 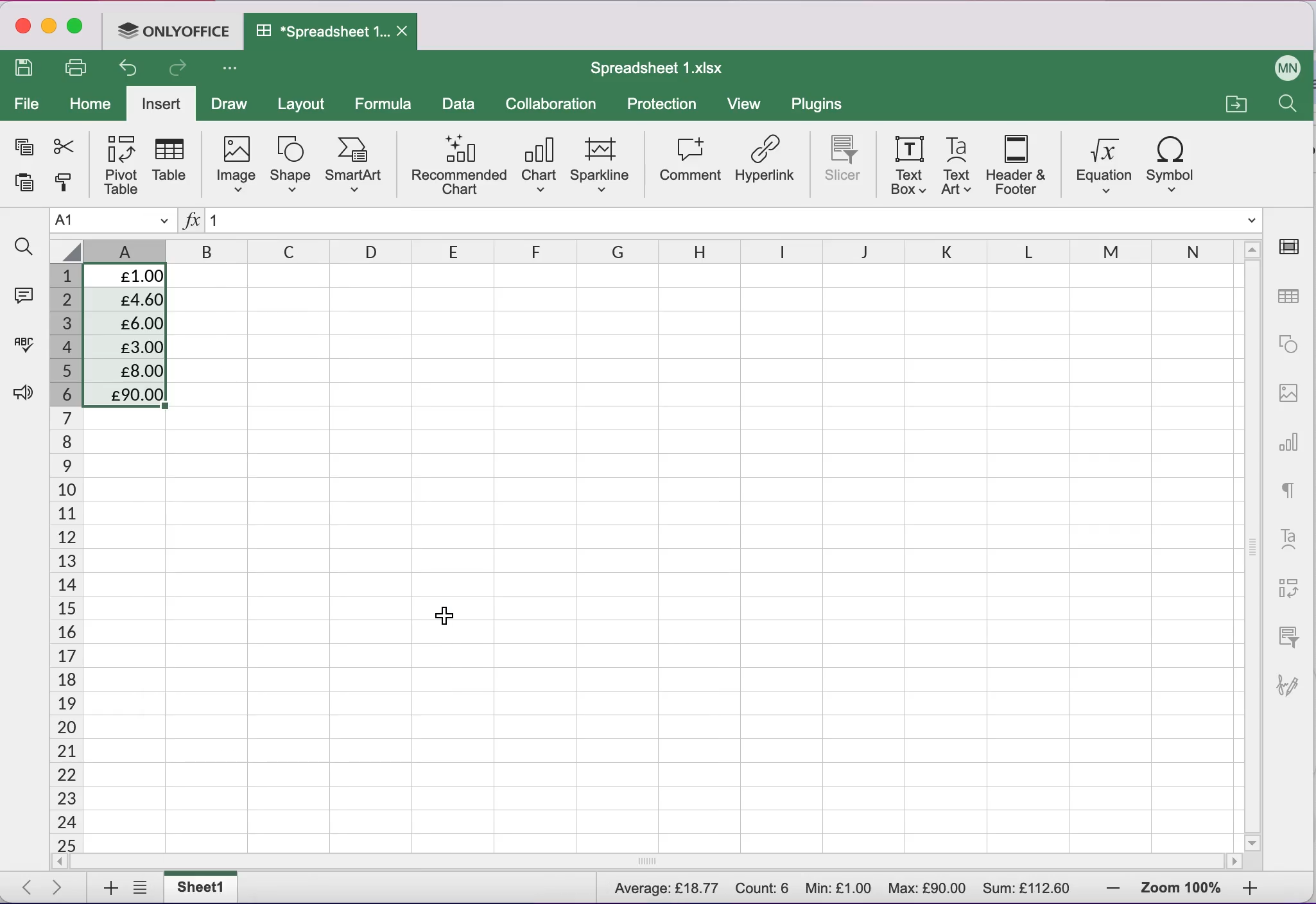 I want to click on print, so click(x=77, y=69).